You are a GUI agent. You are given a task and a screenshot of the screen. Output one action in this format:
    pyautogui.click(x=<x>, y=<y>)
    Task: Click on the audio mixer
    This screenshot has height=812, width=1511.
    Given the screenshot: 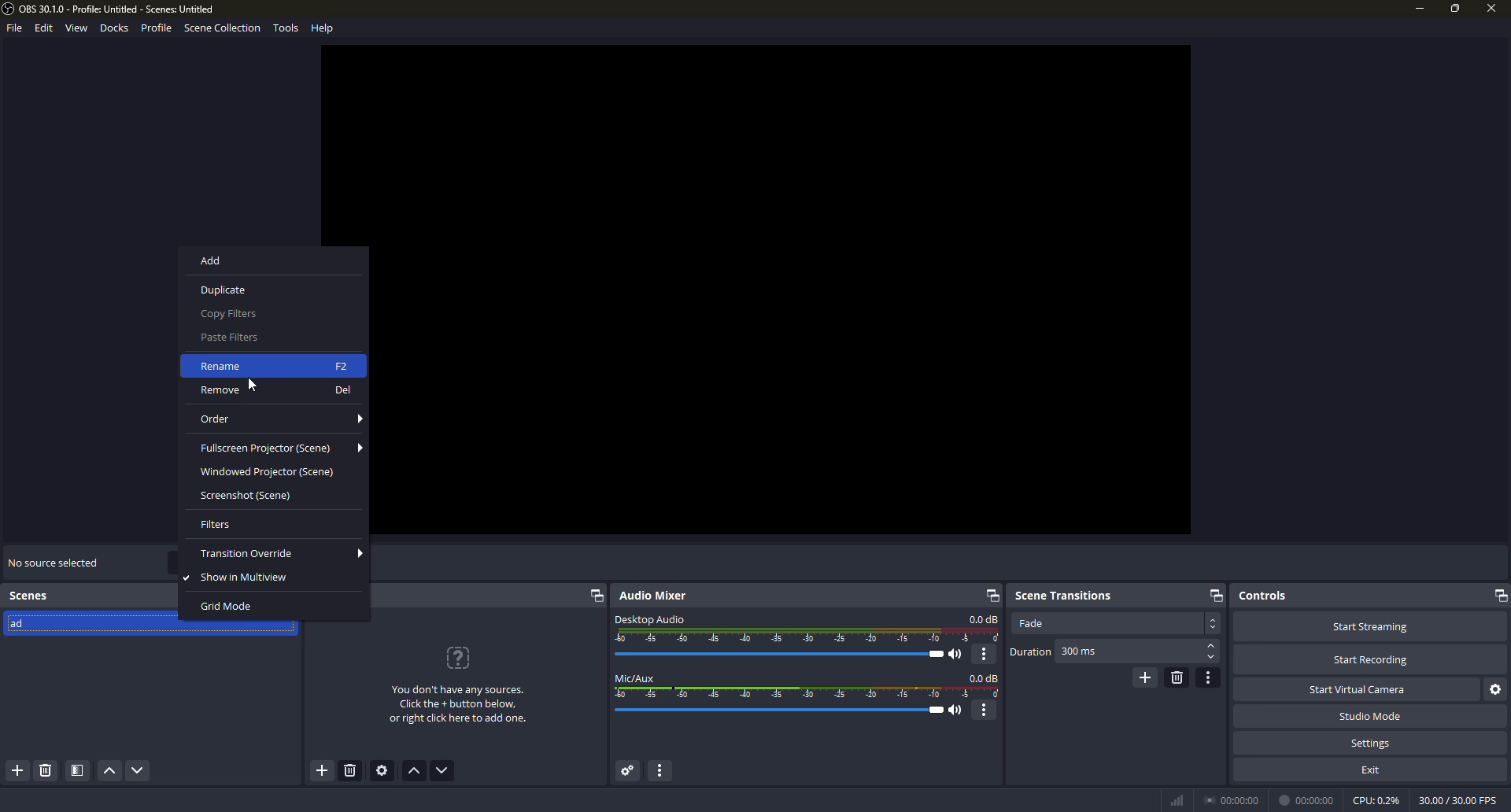 What is the action you would take?
    pyautogui.click(x=657, y=596)
    